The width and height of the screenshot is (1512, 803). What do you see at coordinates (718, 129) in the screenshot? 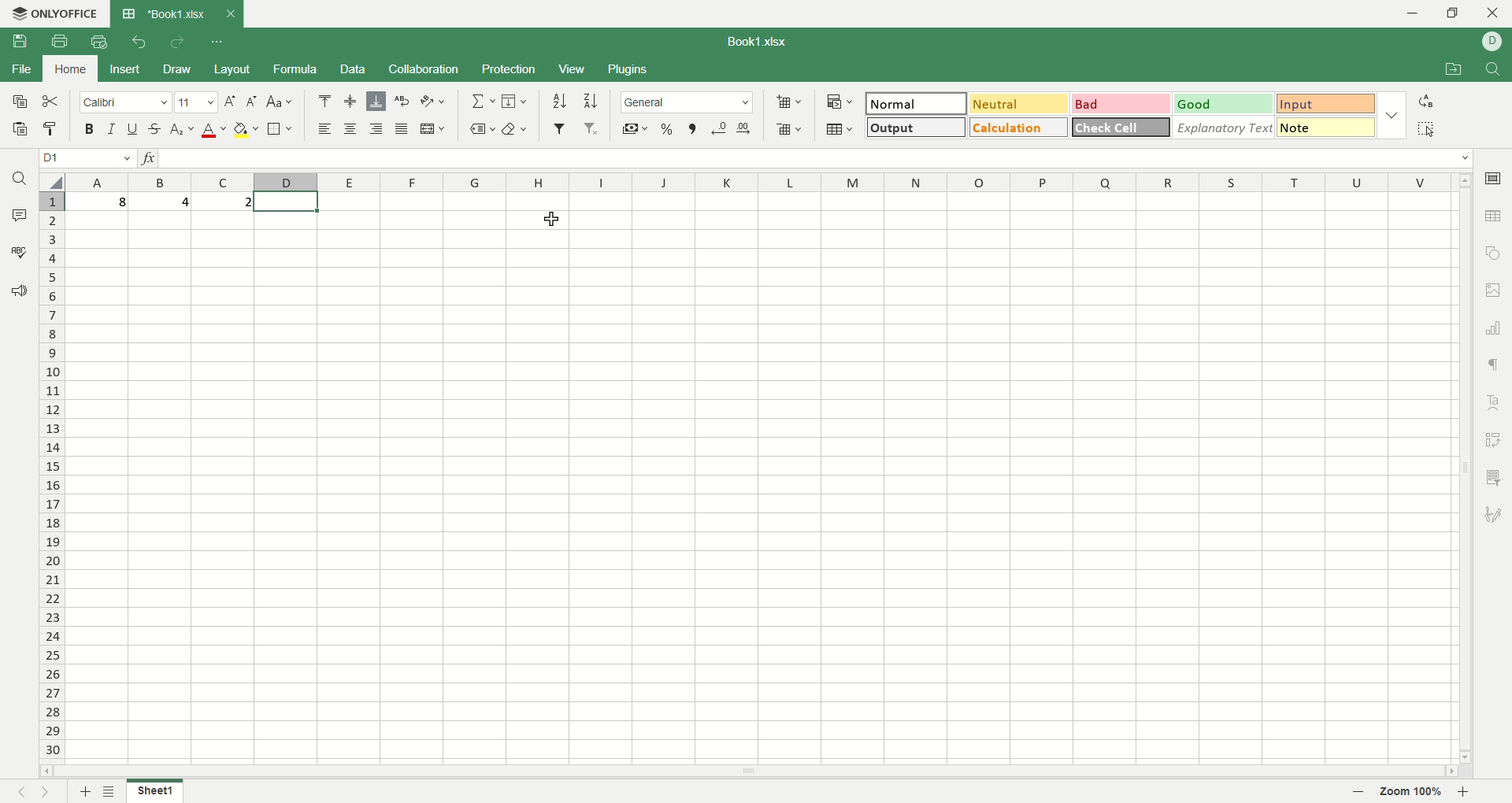
I see `decrease decimal` at bounding box center [718, 129].